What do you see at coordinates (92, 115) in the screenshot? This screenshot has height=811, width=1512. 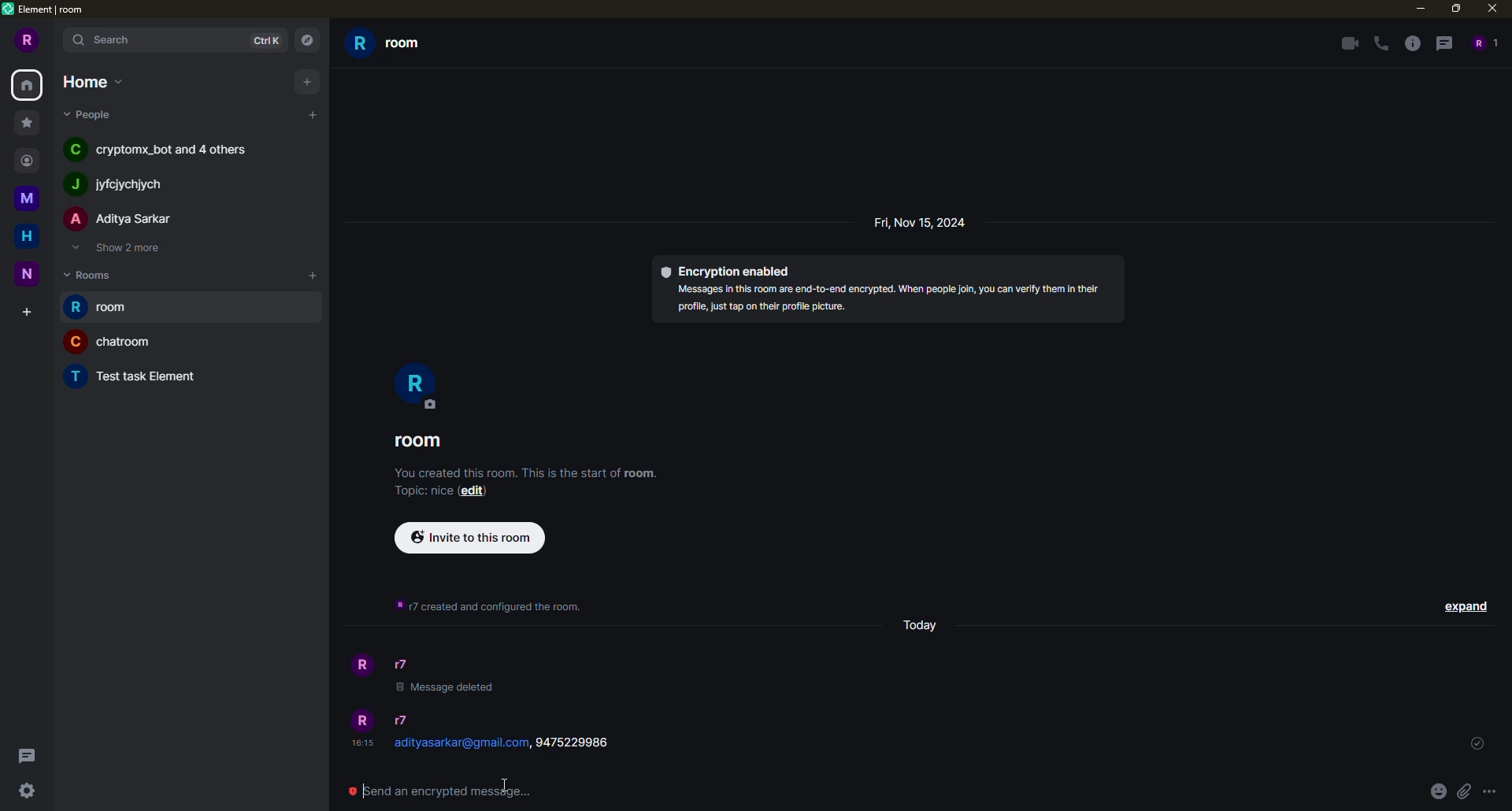 I see `people` at bounding box center [92, 115].